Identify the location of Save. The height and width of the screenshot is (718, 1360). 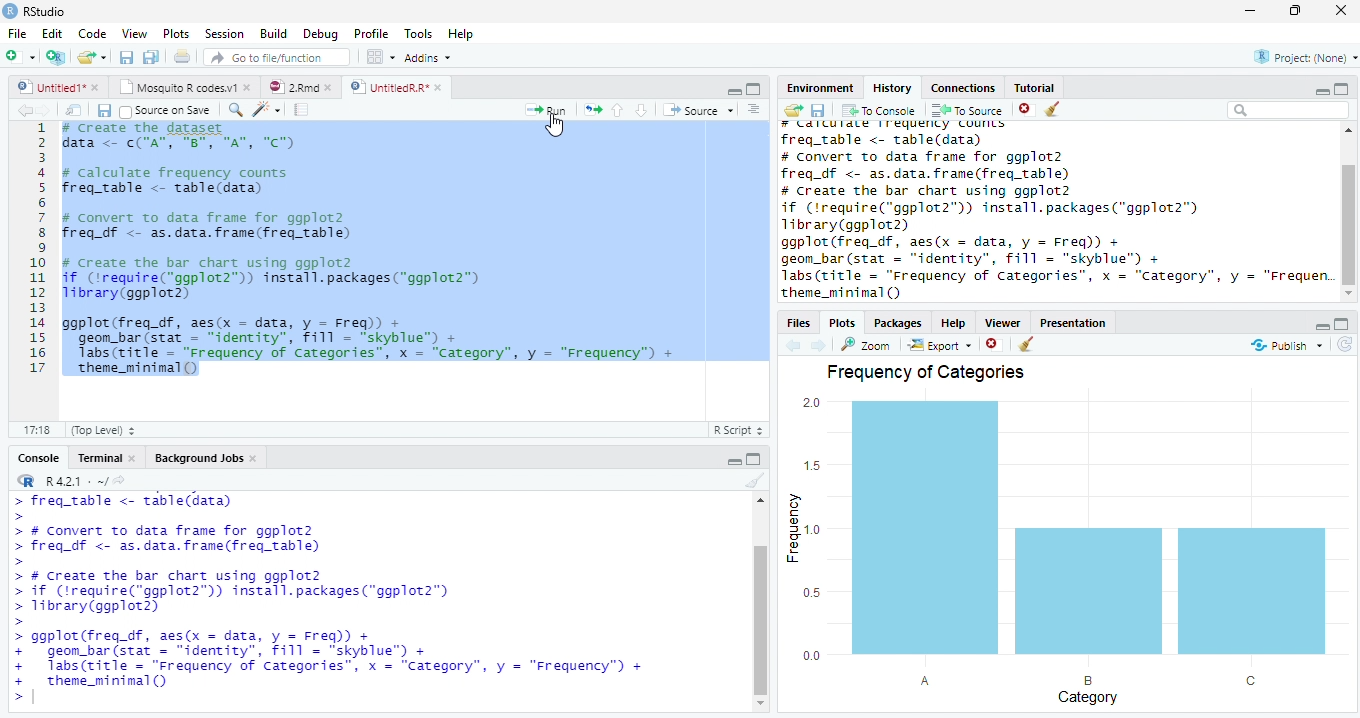
(817, 113).